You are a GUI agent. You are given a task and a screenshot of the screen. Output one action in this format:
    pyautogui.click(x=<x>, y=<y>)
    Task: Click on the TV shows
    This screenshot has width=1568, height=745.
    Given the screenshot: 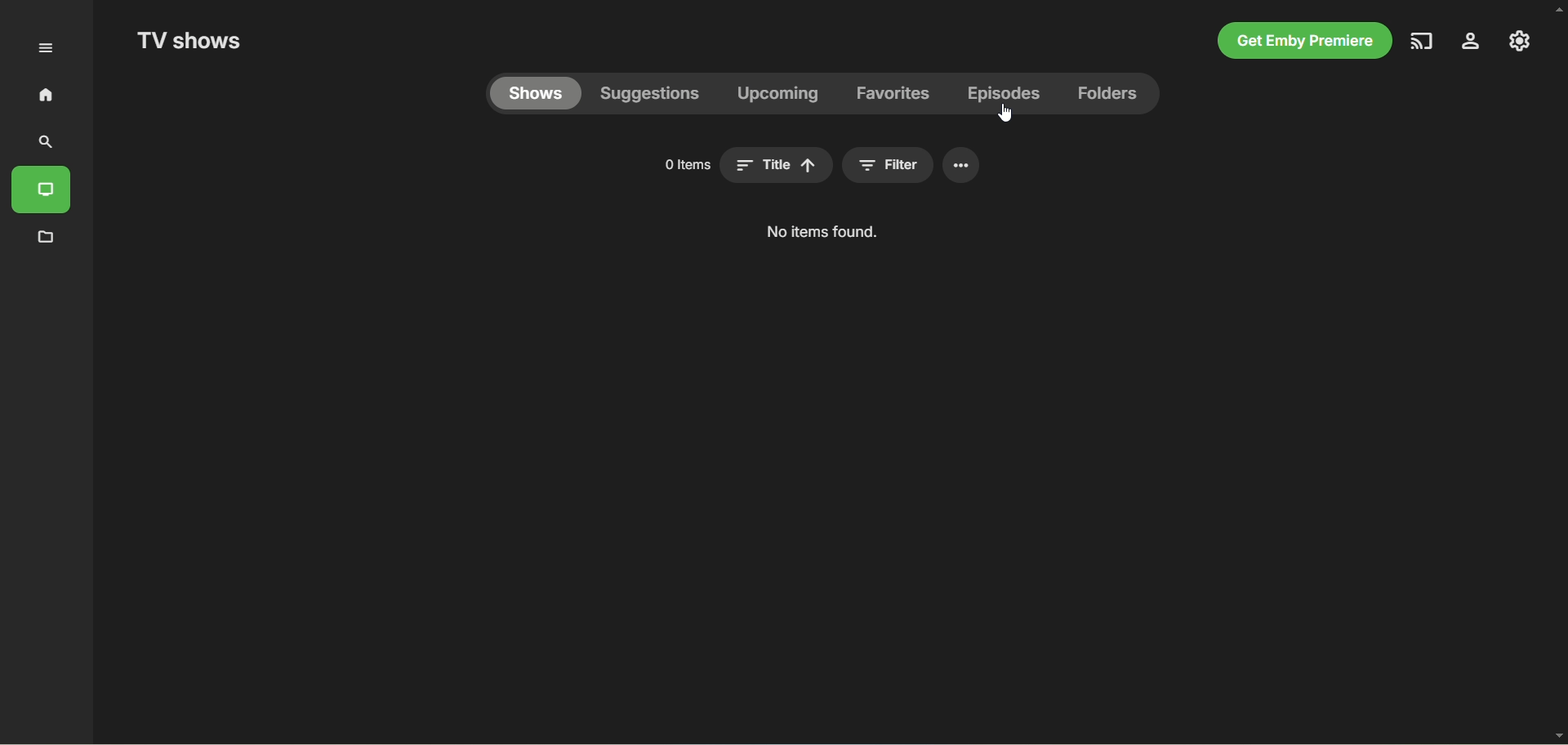 What is the action you would take?
    pyautogui.click(x=188, y=40)
    